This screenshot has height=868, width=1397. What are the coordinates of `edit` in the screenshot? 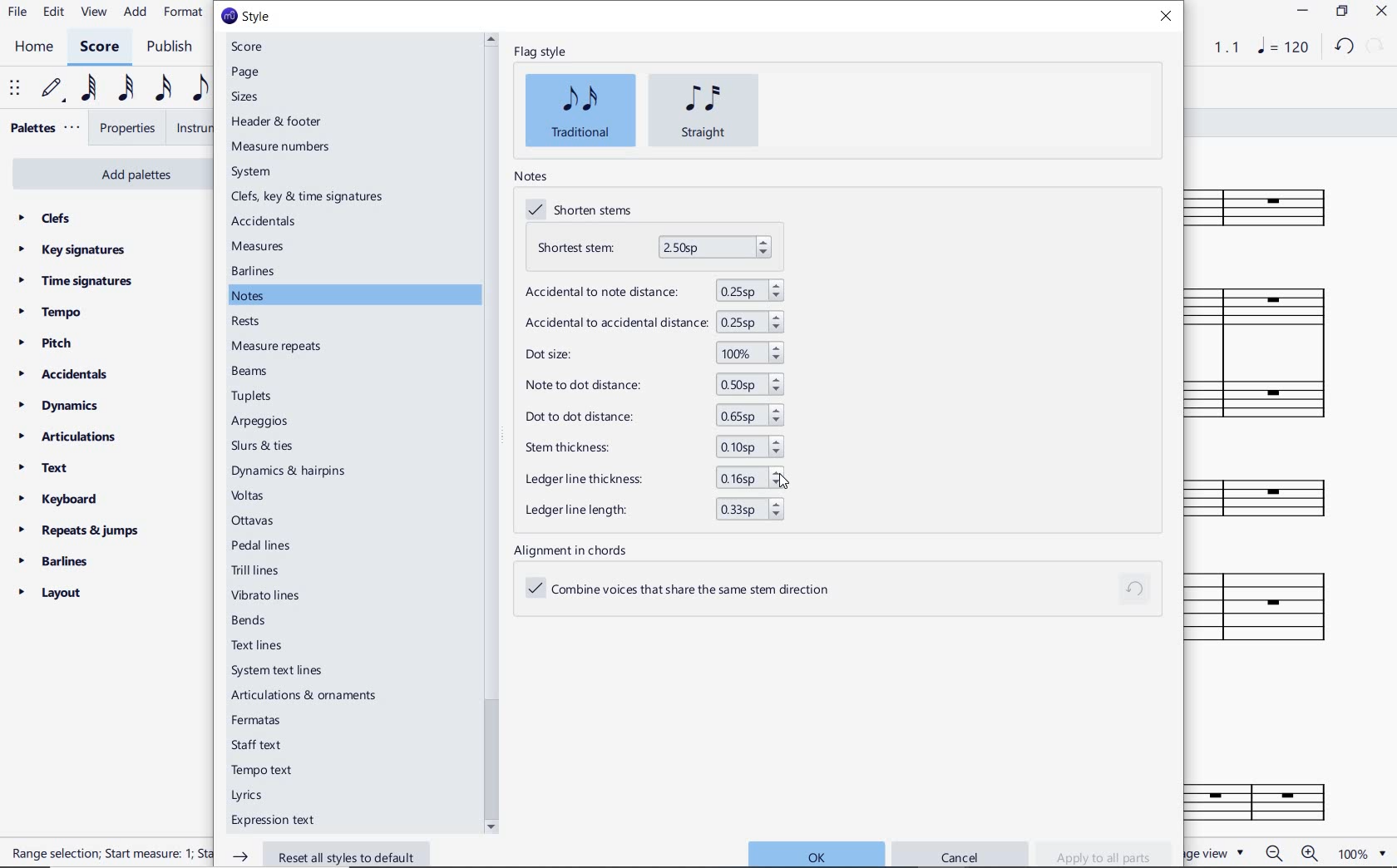 It's located at (52, 12).